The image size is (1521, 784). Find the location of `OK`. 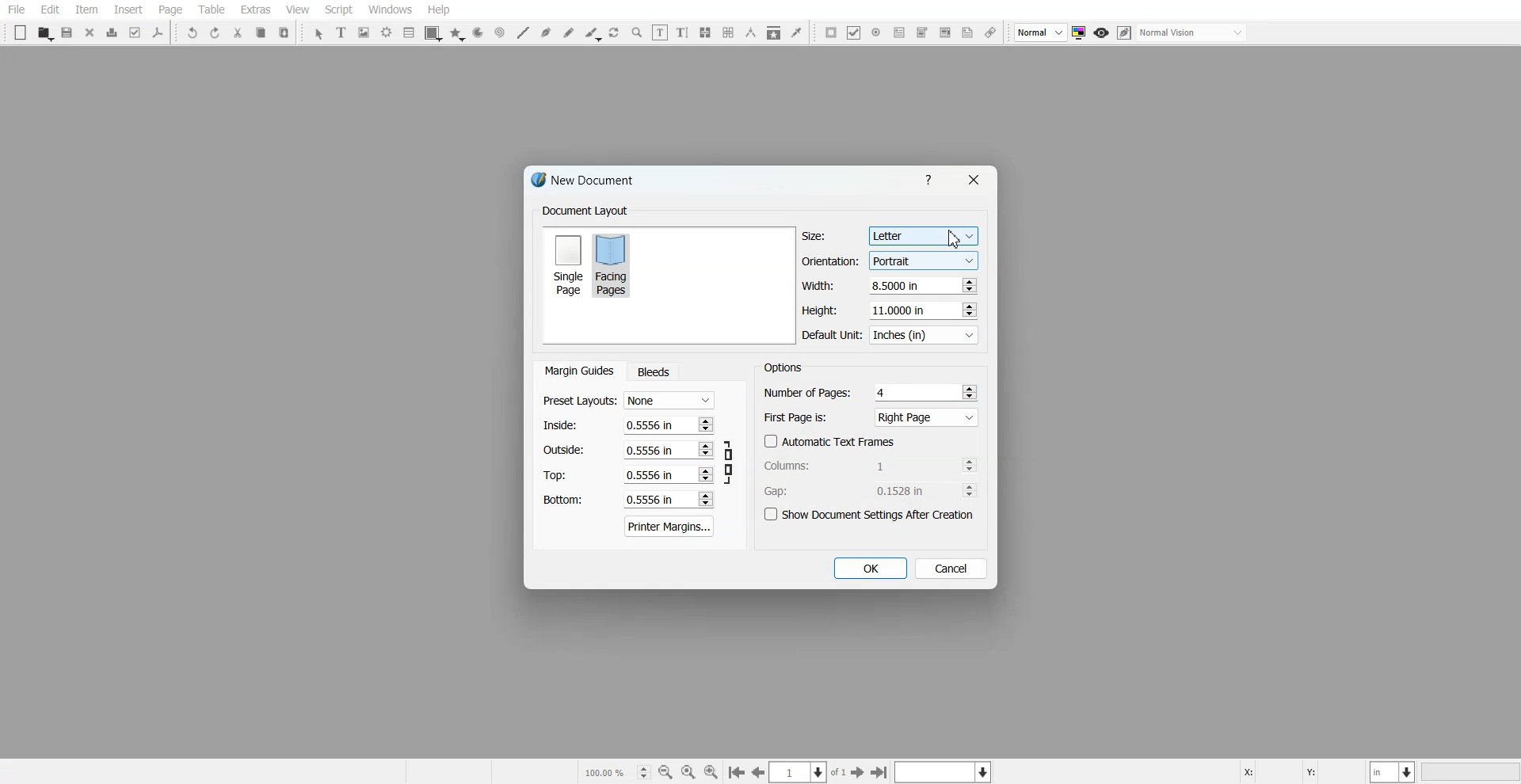

OK is located at coordinates (869, 569).